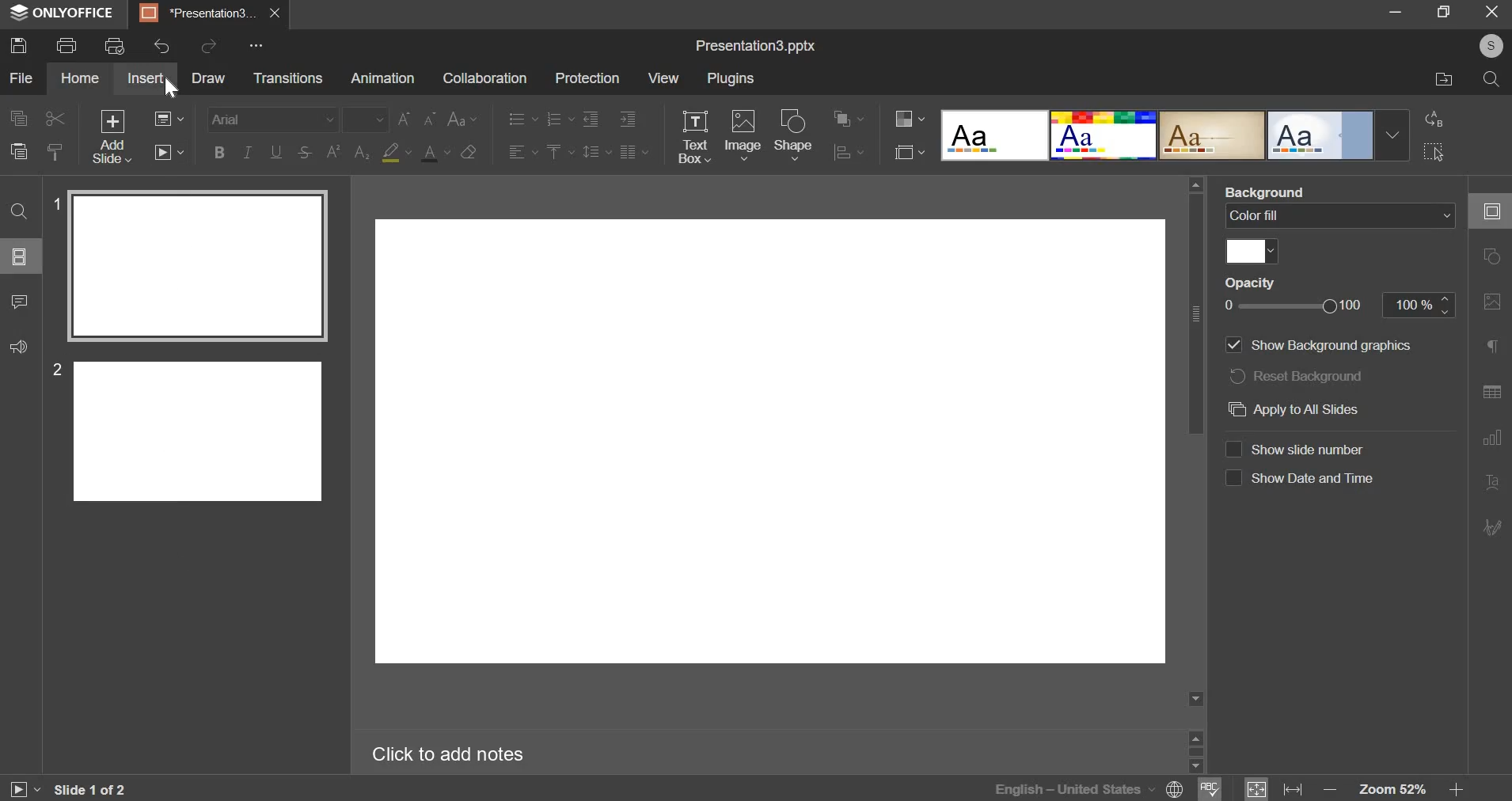 This screenshot has width=1512, height=801. Describe the element at coordinates (462, 119) in the screenshot. I see `change case` at that location.